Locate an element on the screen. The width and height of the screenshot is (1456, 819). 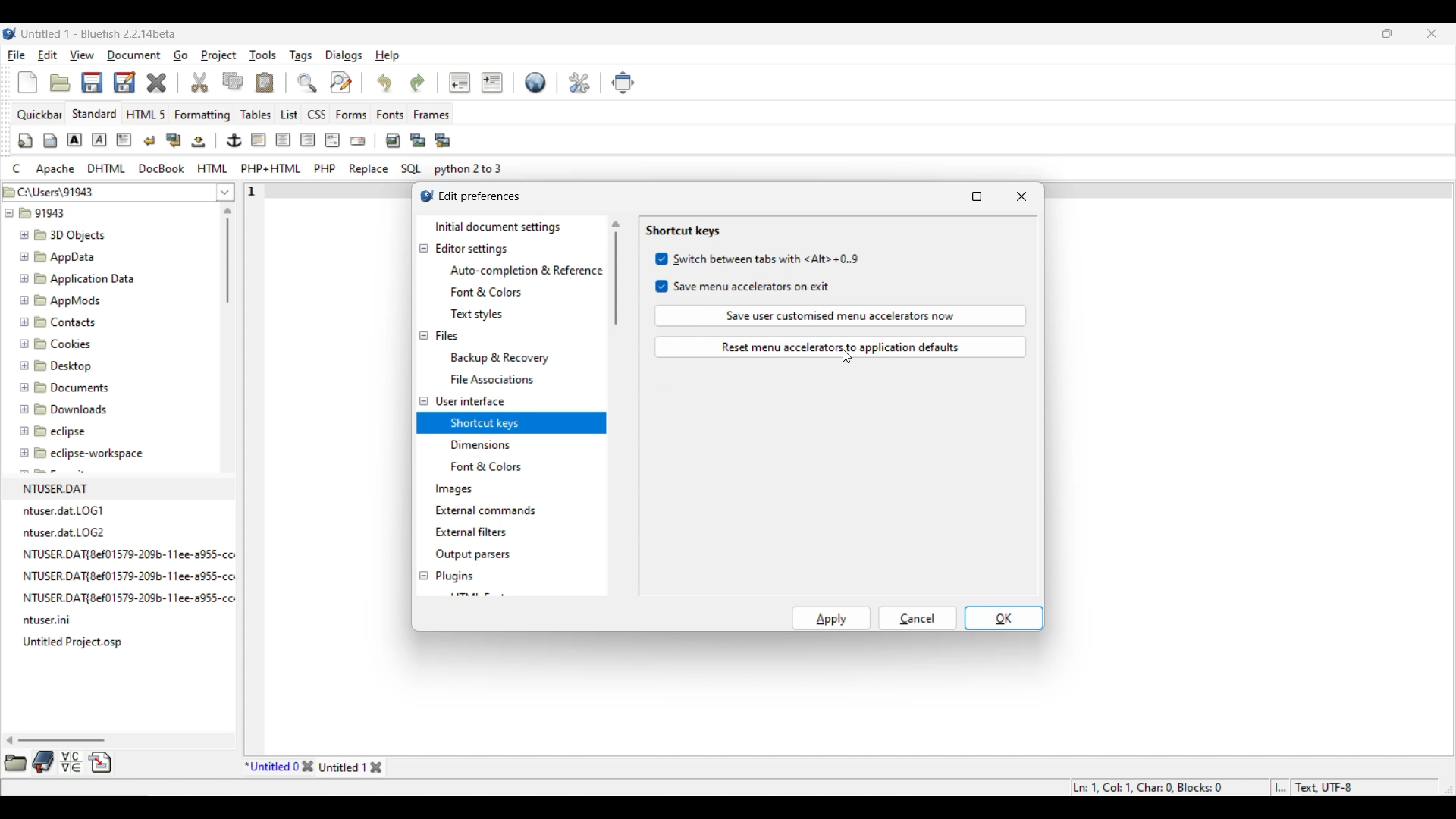
New is located at coordinates (27, 83).